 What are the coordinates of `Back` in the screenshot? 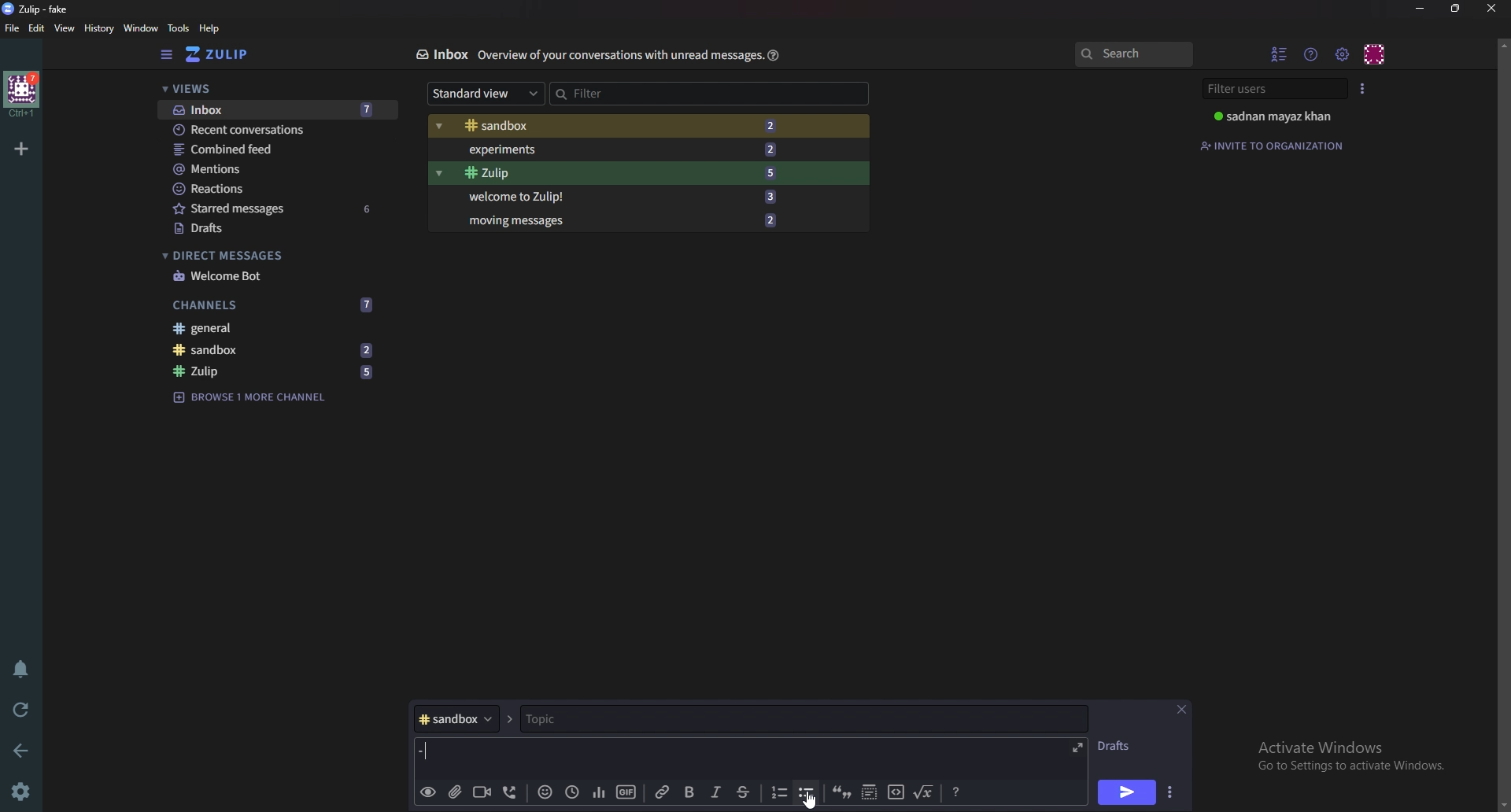 It's located at (24, 749).